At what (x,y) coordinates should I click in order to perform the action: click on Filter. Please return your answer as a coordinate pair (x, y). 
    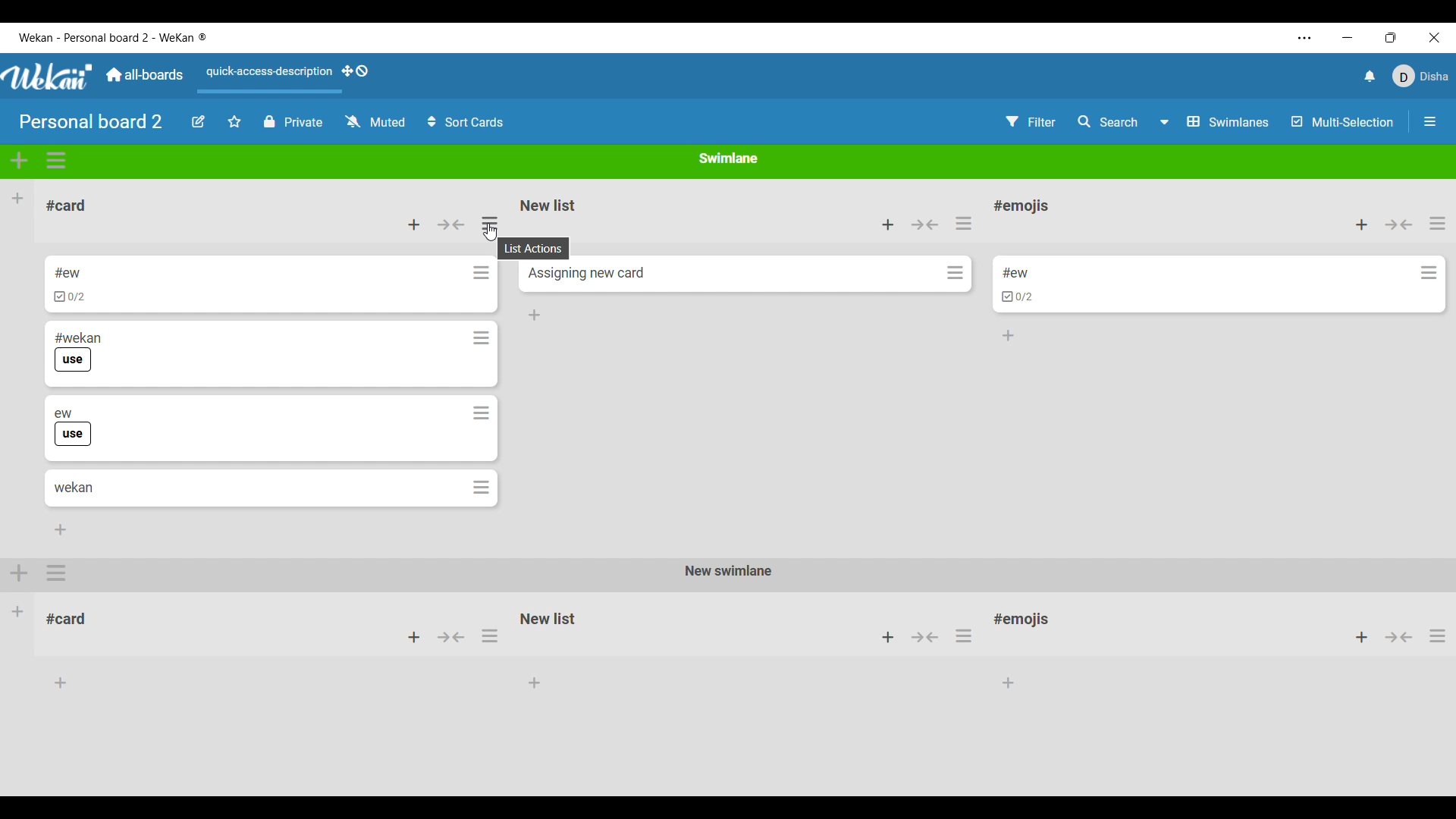
    Looking at the image, I should click on (1031, 122).